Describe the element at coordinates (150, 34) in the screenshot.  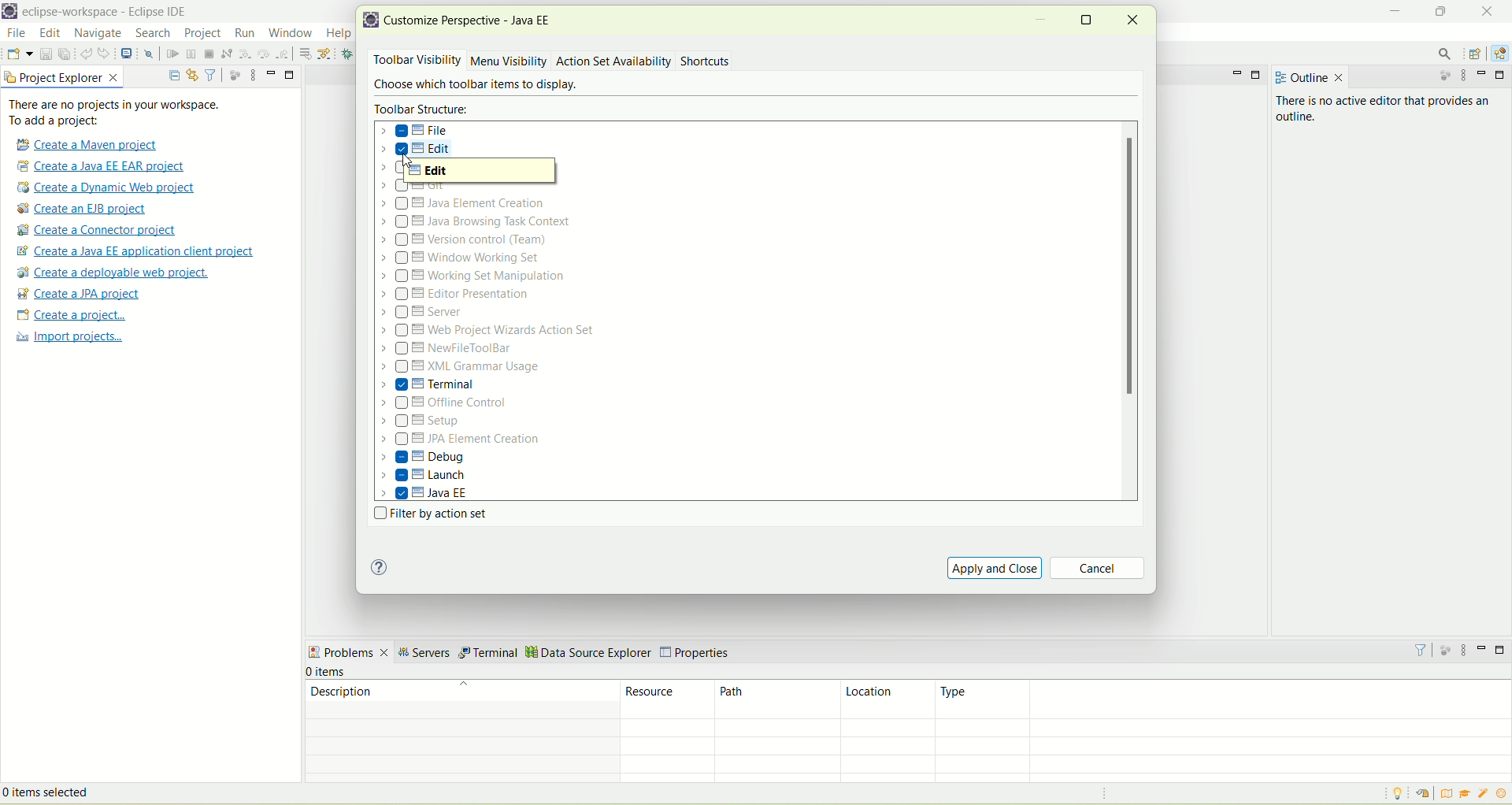
I see `search` at that location.